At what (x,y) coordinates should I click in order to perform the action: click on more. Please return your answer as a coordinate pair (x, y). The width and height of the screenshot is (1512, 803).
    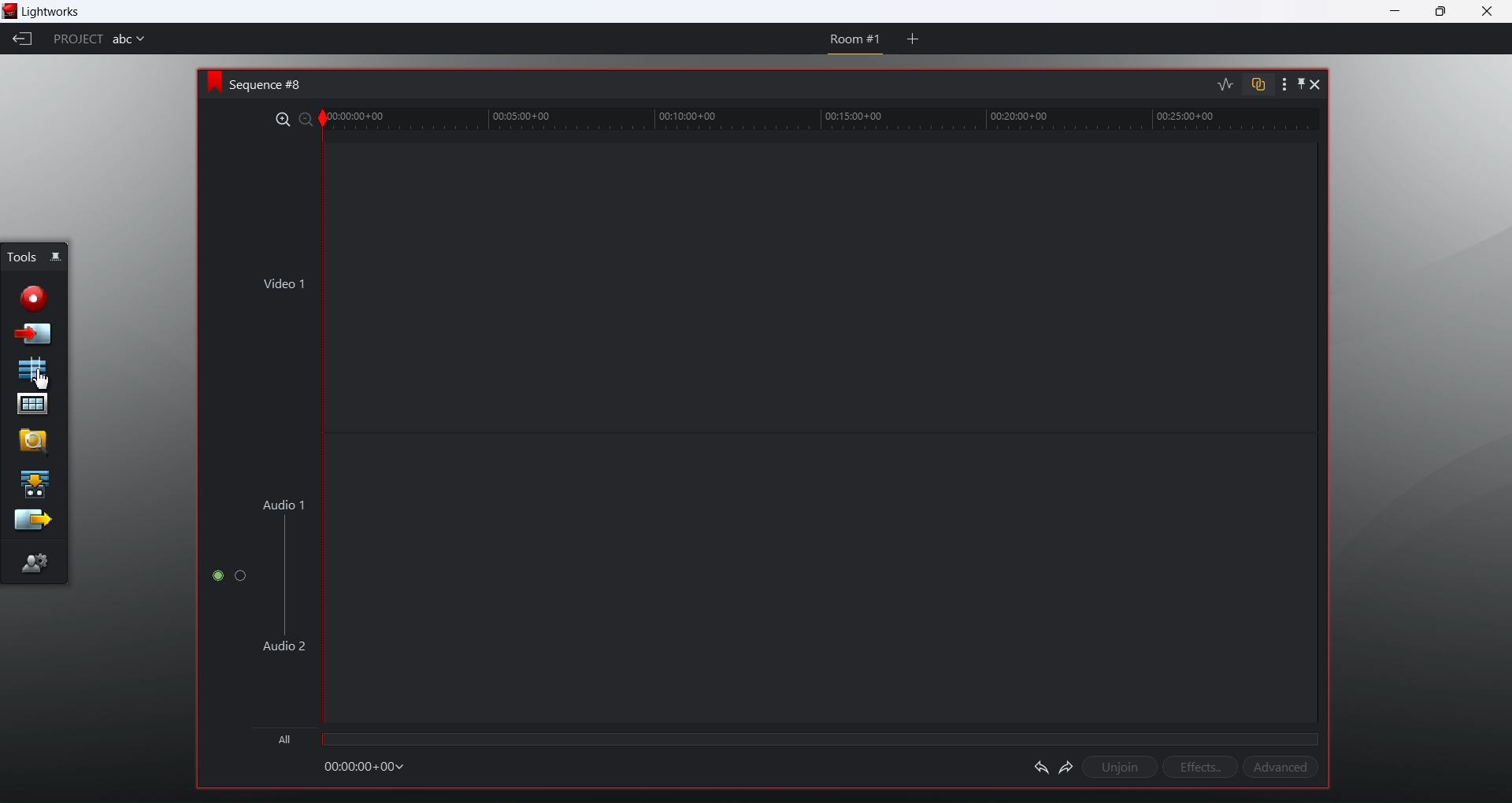
    Looking at the image, I should click on (1277, 84).